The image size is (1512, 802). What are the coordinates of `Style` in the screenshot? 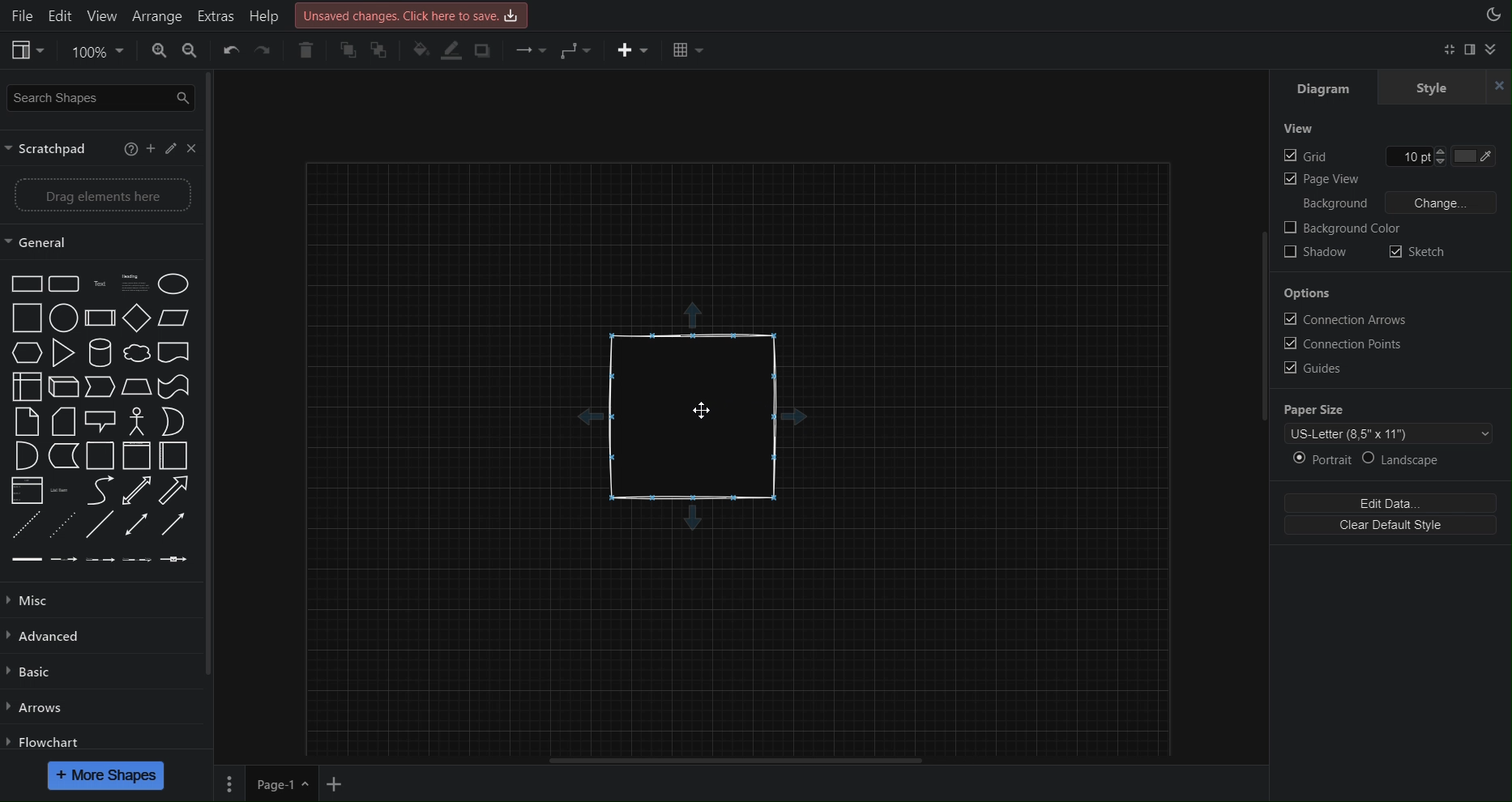 It's located at (1448, 89).